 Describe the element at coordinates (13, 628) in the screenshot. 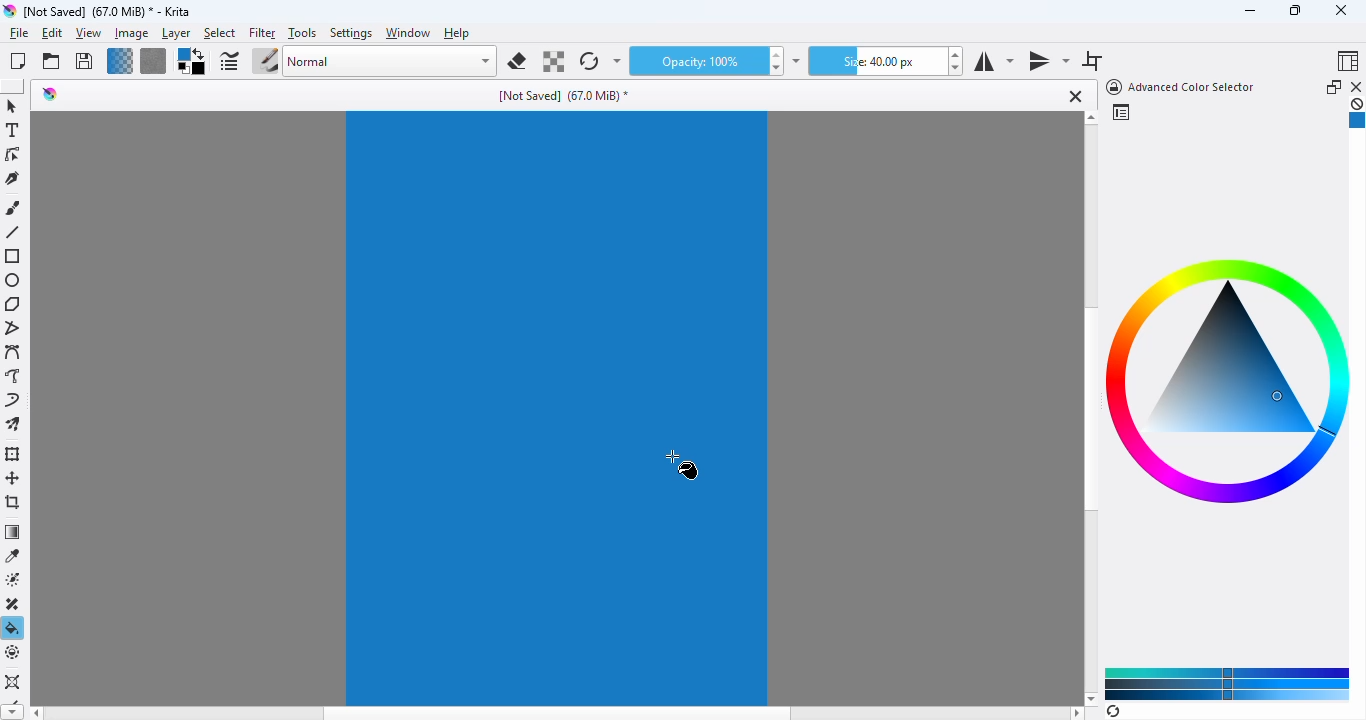

I see `fill a selection` at that location.